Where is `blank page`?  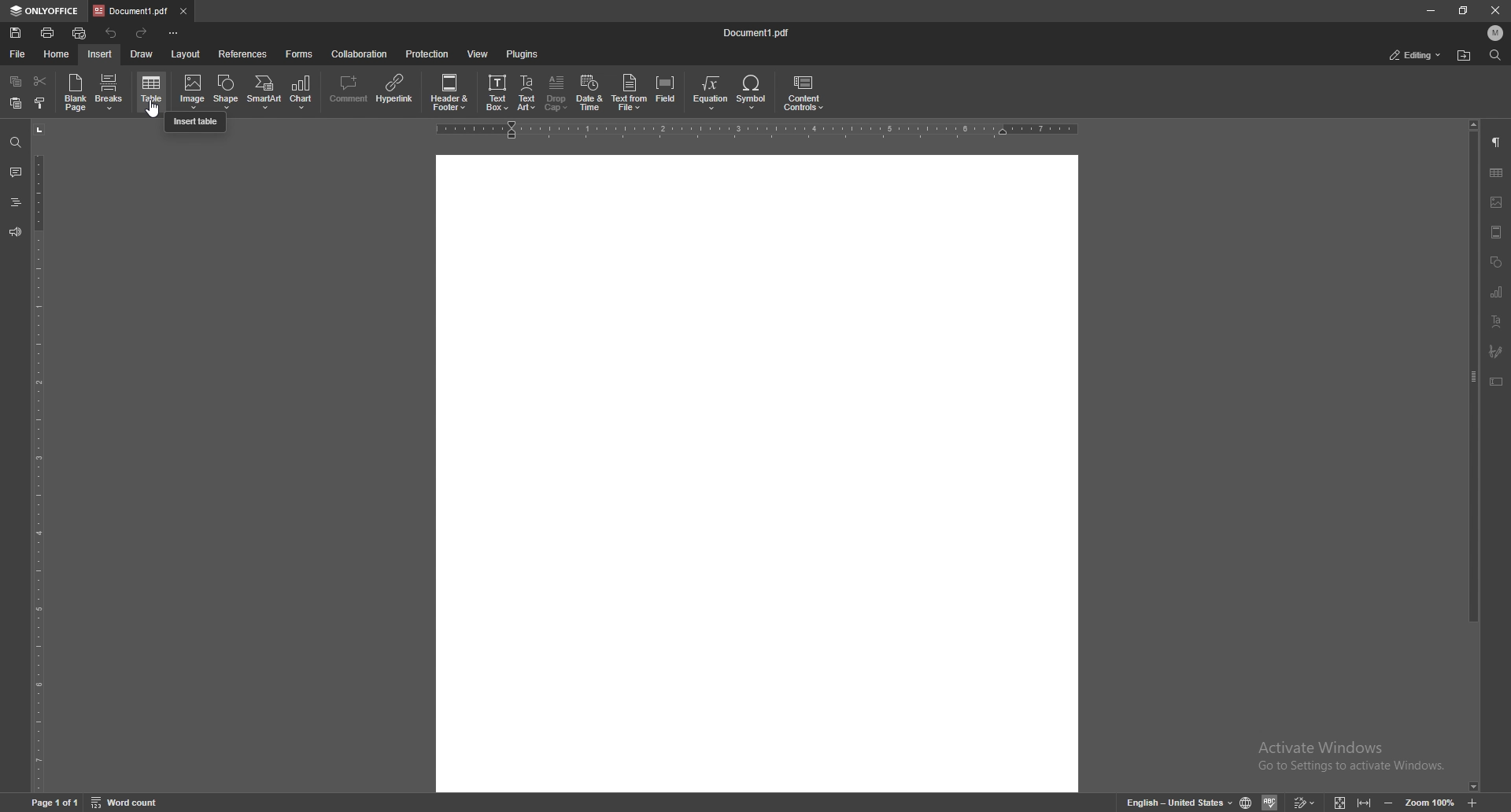 blank page is located at coordinates (76, 94).